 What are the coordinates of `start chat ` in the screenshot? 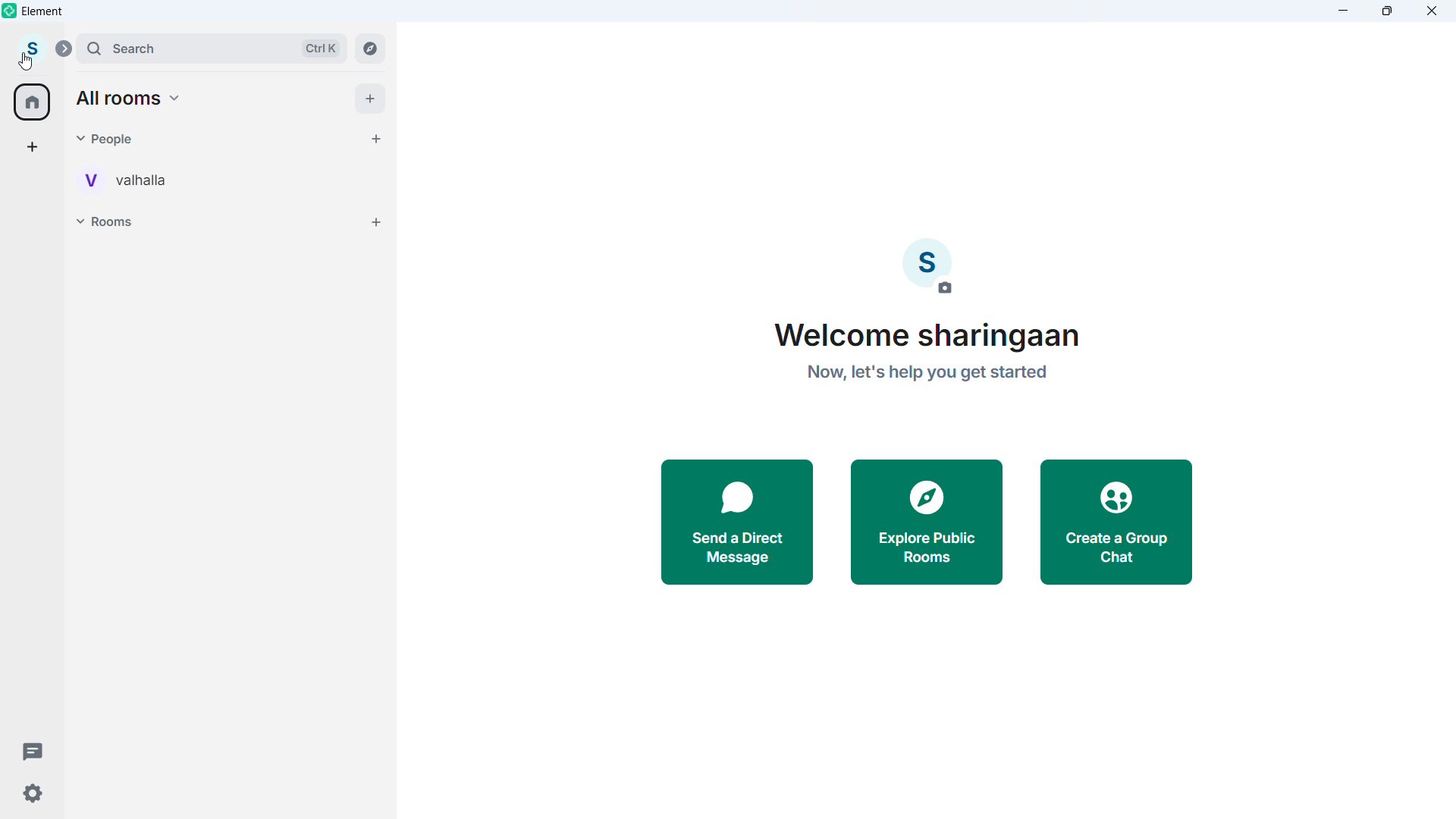 It's located at (377, 138).